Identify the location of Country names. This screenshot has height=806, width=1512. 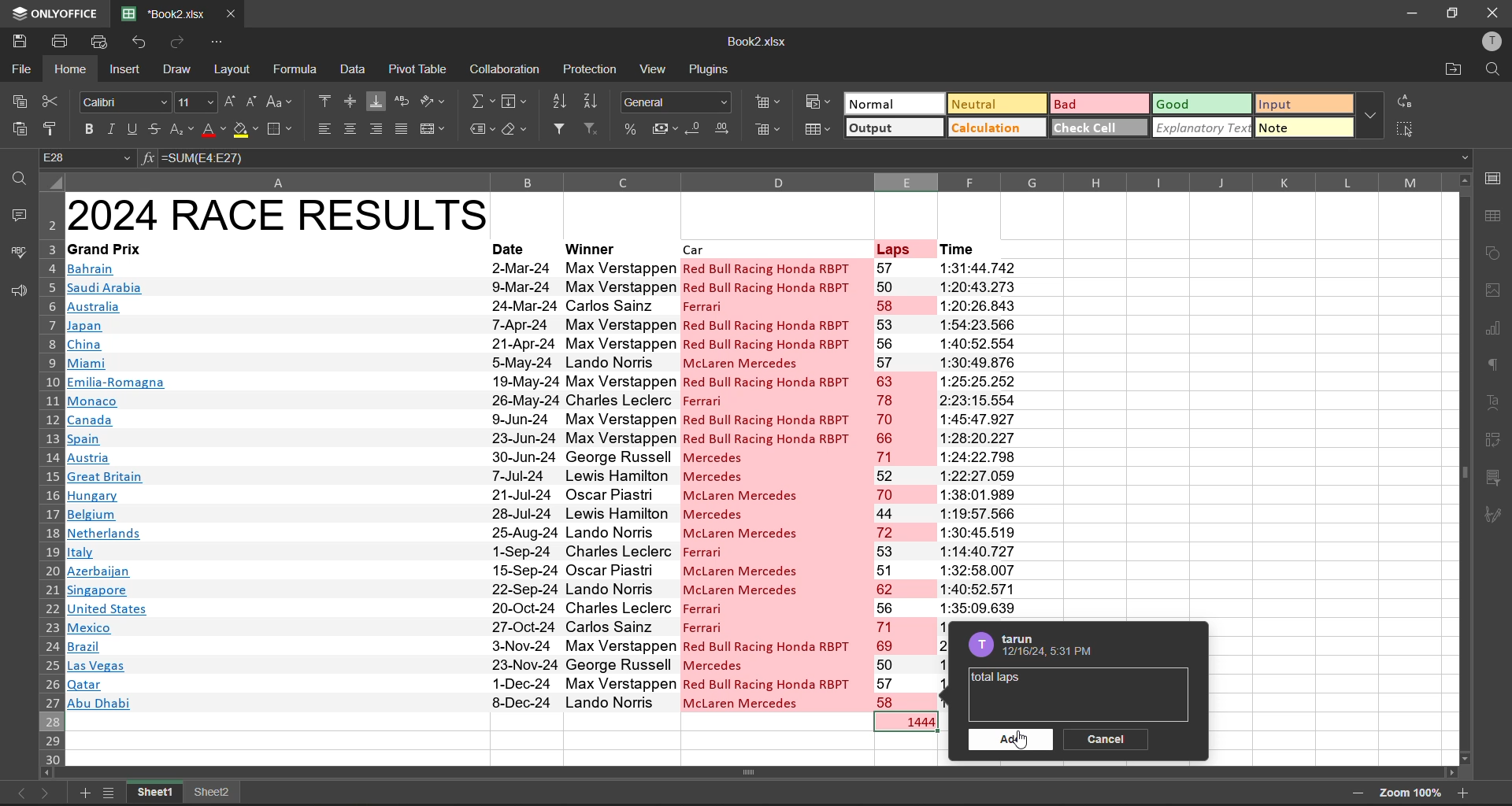
(118, 486).